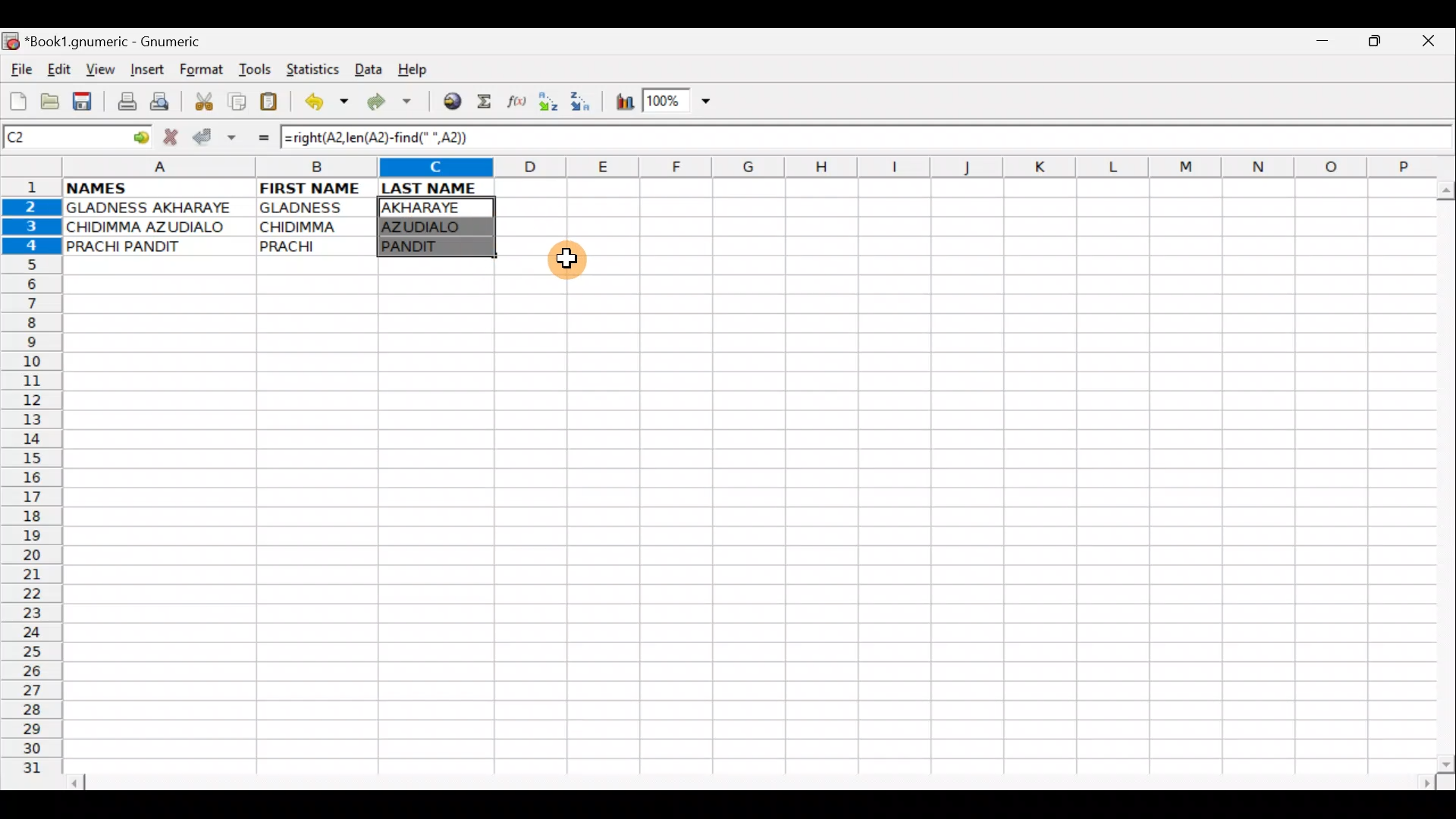 The height and width of the screenshot is (819, 1456). Describe the element at coordinates (140, 135) in the screenshot. I see `go to` at that location.